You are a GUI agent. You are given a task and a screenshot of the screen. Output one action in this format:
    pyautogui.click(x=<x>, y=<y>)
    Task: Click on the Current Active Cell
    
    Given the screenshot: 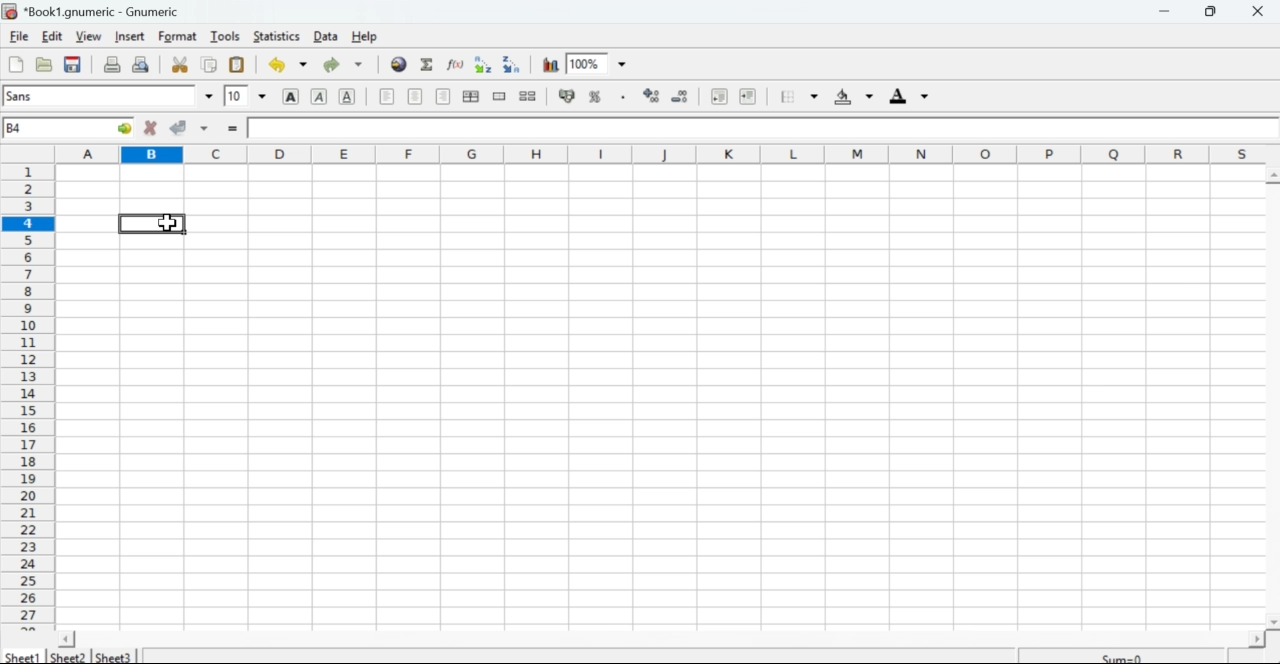 What is the action you would take?
    pyautogui.click(x=68, y=127)
    